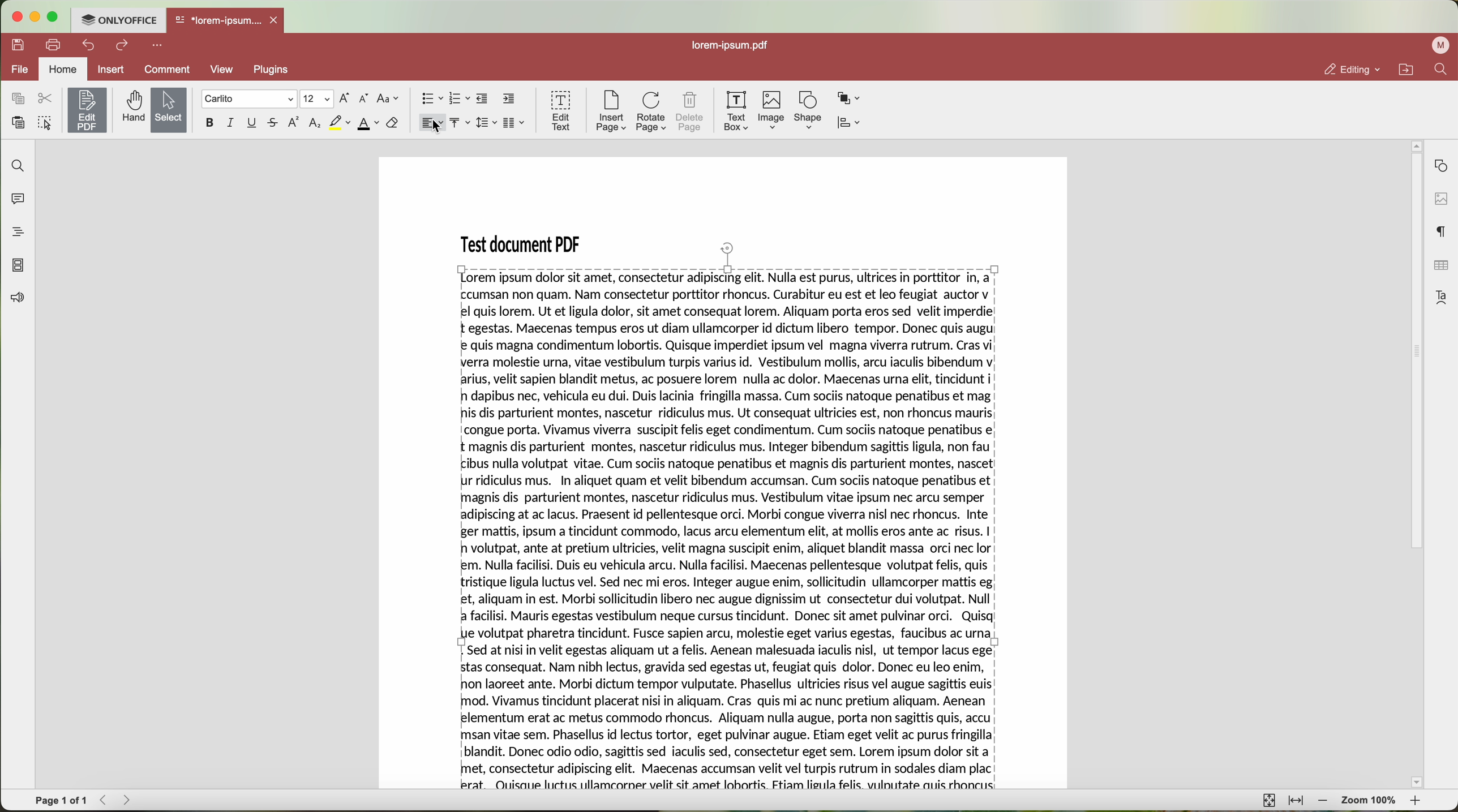 This screenshot has height=812, width=1458. What do you see at coordinates (368, 124) in the screenshot?
I see `font color` at bounding box center [368, 124].